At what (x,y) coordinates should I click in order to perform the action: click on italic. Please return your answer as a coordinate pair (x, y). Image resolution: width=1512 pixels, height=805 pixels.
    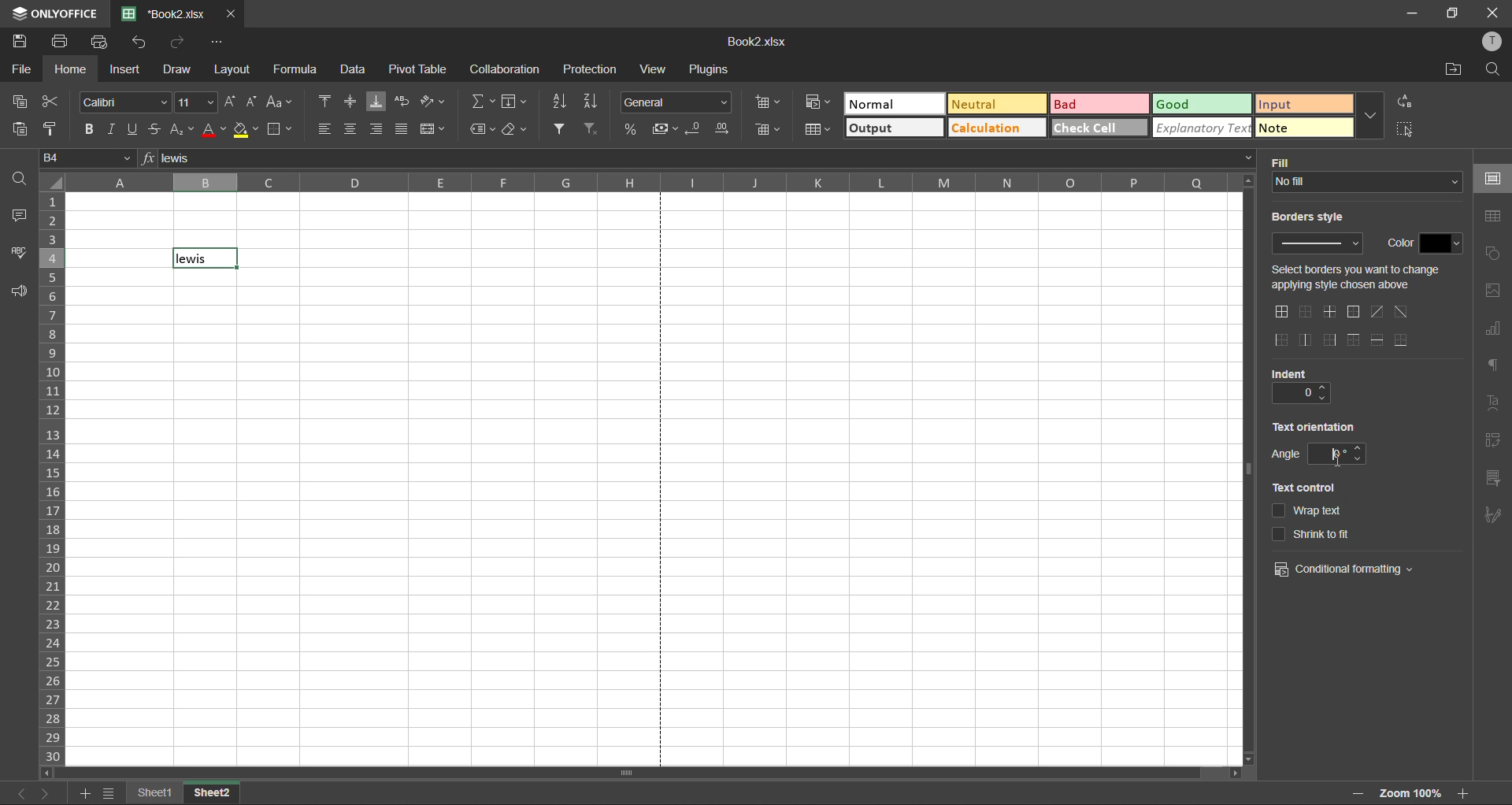
    Looking at the image, I should click on (109, 131).